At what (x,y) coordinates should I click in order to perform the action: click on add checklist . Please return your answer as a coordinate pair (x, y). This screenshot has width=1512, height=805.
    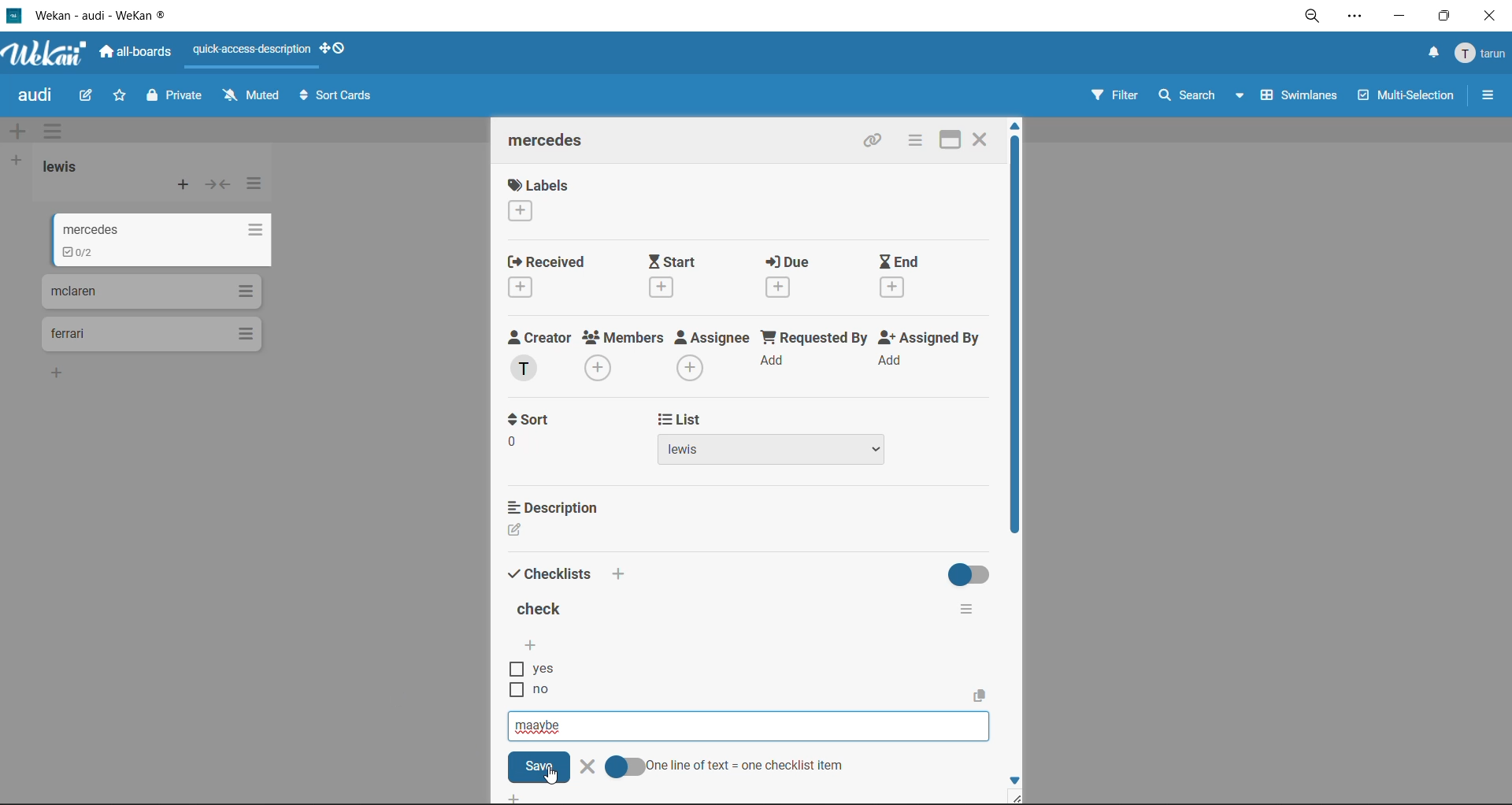
    Looking at the image, I should click on (534, 644).